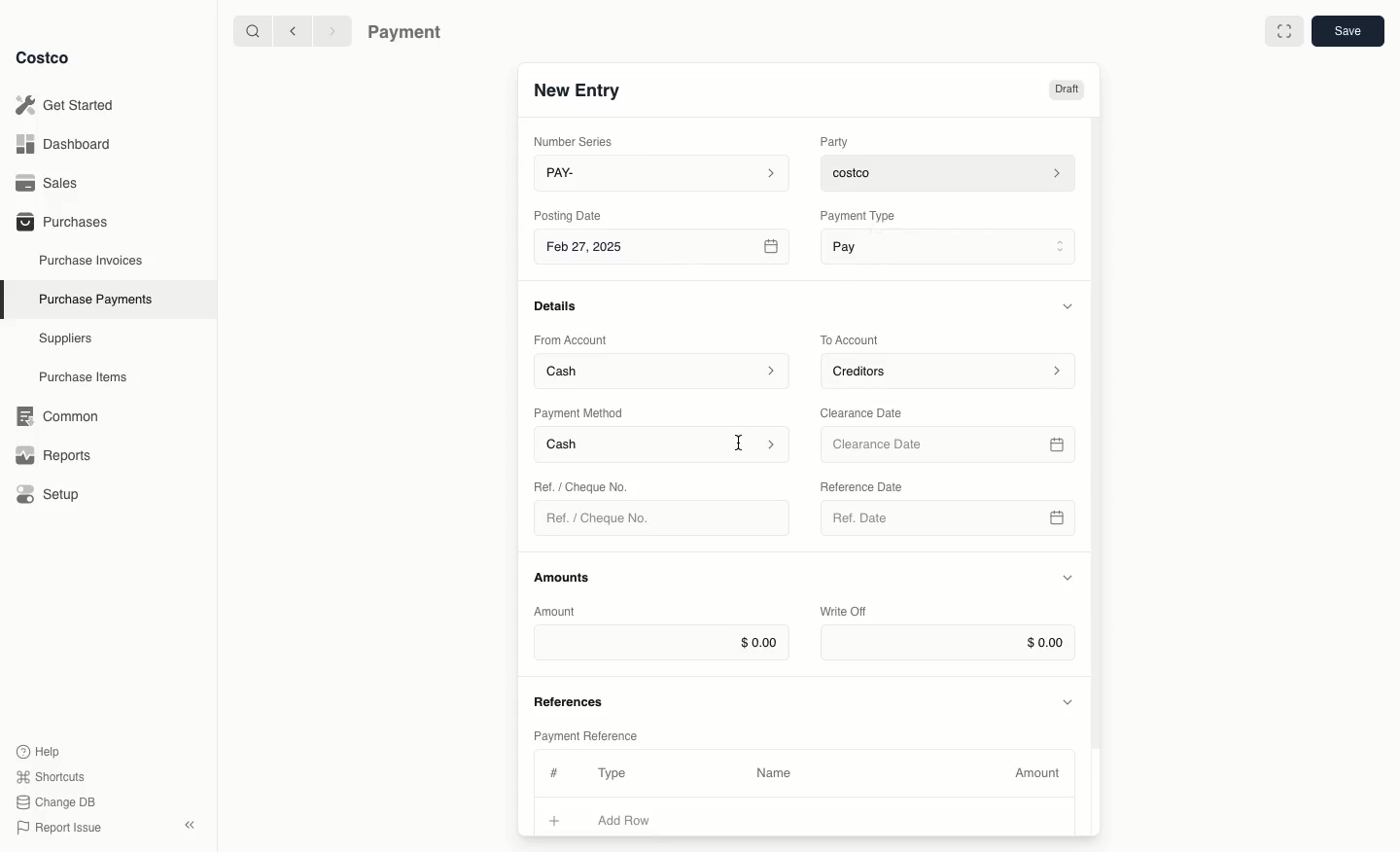 The width and height of the screenshot is (1400, 852). What do you see at coordinates (1069, 700) in the screenshot?
I see `Hide` at bounding box center [1069, 700].